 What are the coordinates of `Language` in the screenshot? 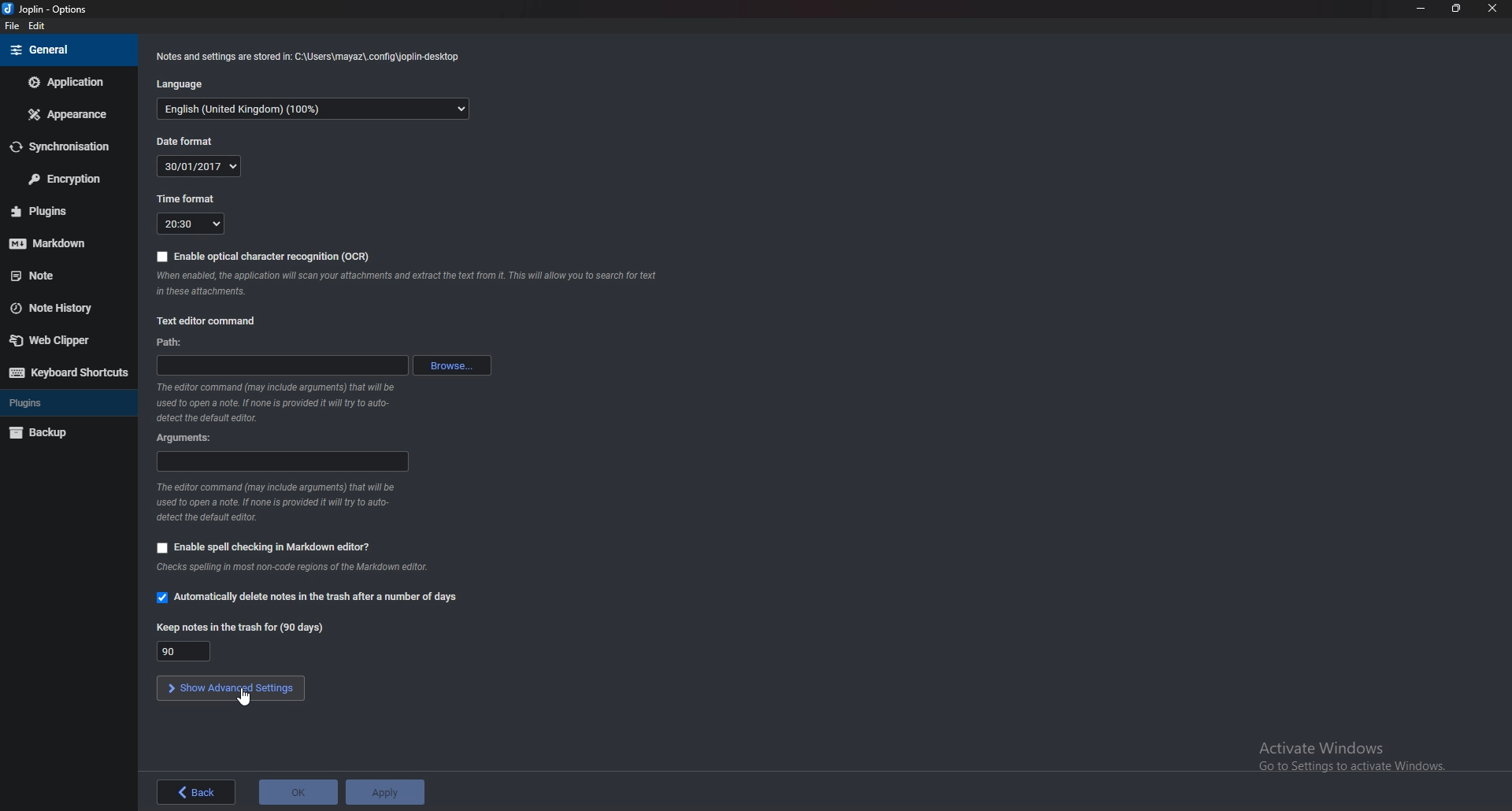 It's located at (191, 83).